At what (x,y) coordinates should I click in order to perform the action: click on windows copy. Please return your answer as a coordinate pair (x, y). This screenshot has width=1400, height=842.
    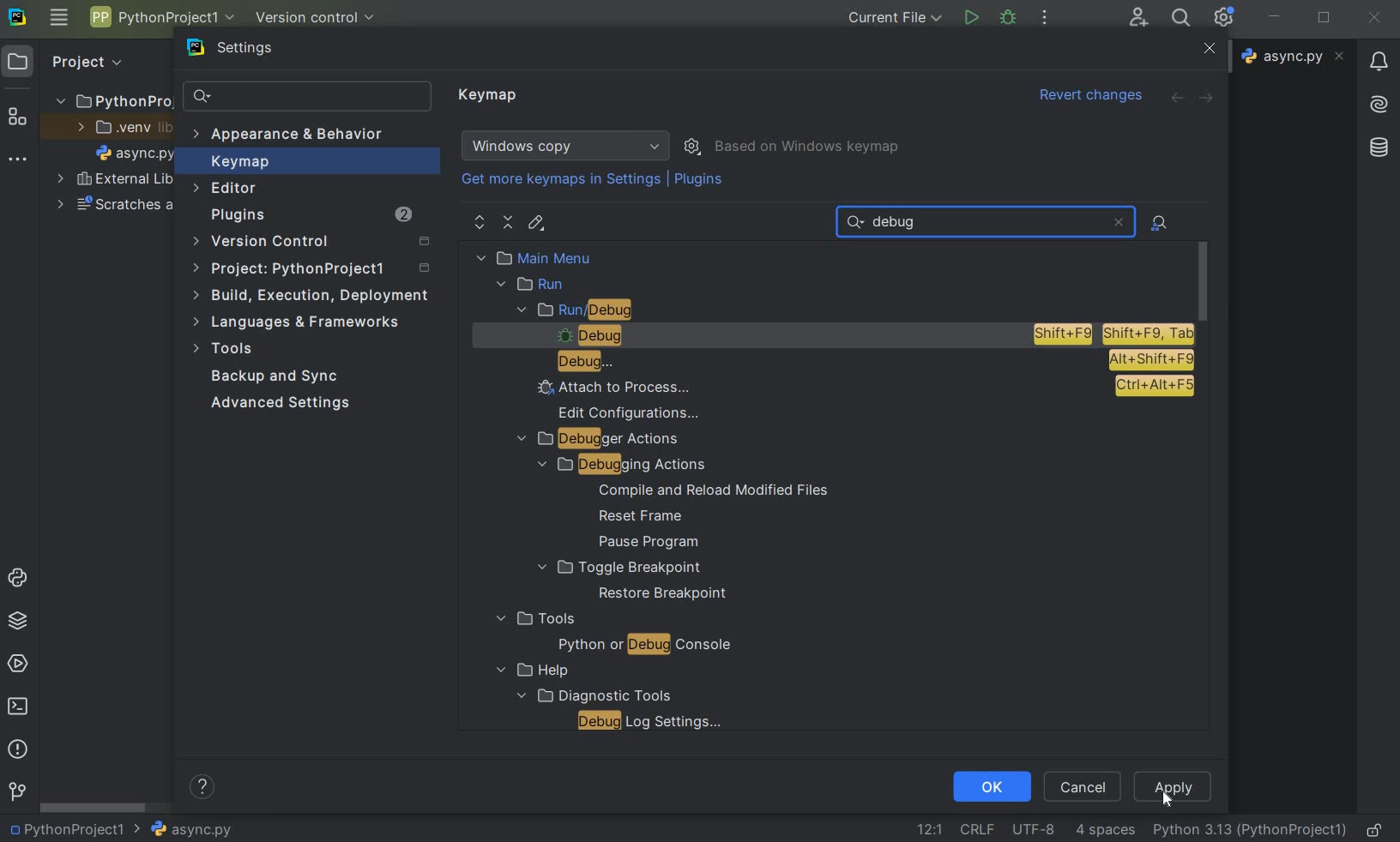
    Looking at the image, I should click on (568, 146).